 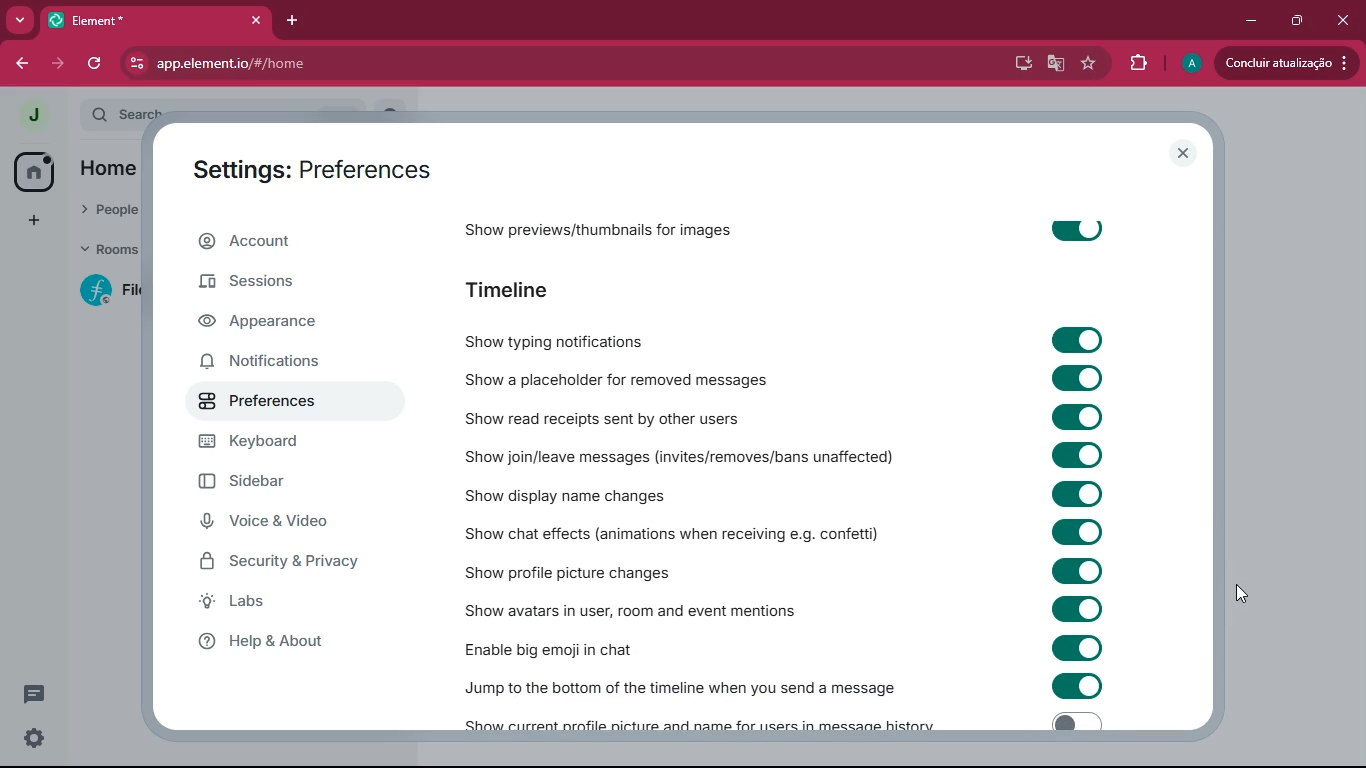 What do you see at coordinates (133, 110) in the screenshot?
I see `search` at bounding box center [133, 110].